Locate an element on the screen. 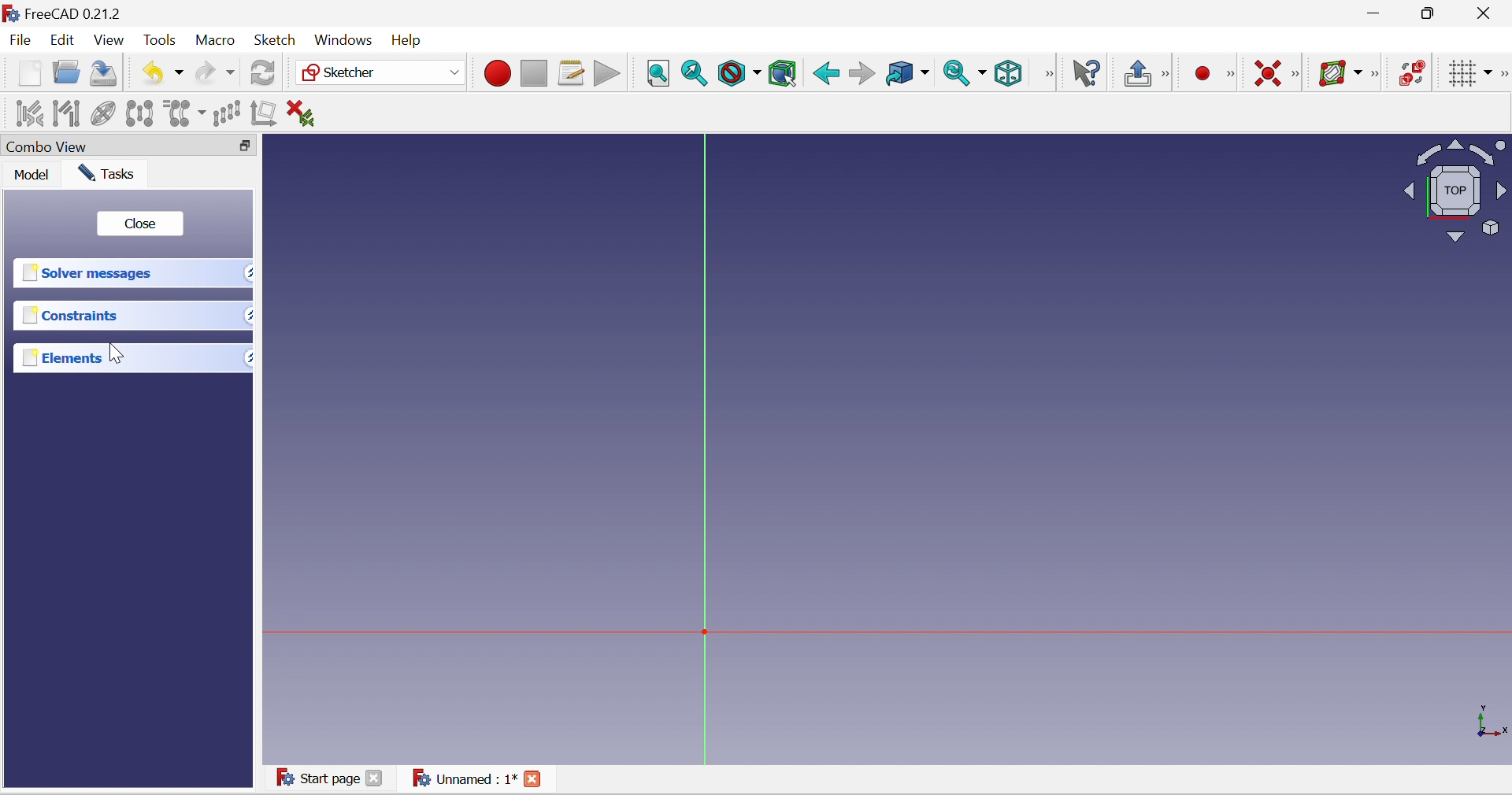 The height and width of the screenshot is (795, 1512). Select associated constraints is located at coordinates (29, 112).